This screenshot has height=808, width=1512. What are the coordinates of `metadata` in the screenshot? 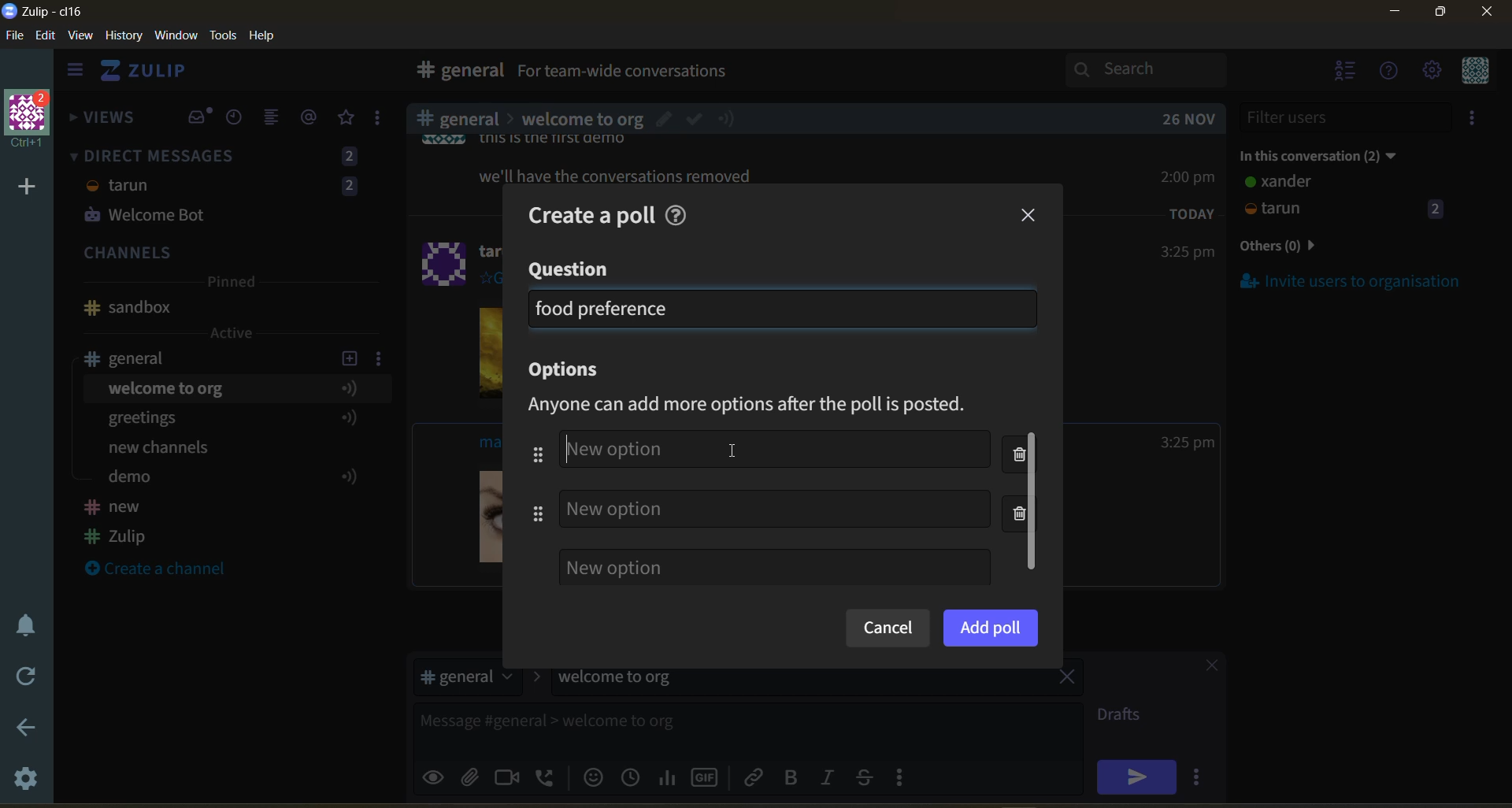 It's located at (762, 406).